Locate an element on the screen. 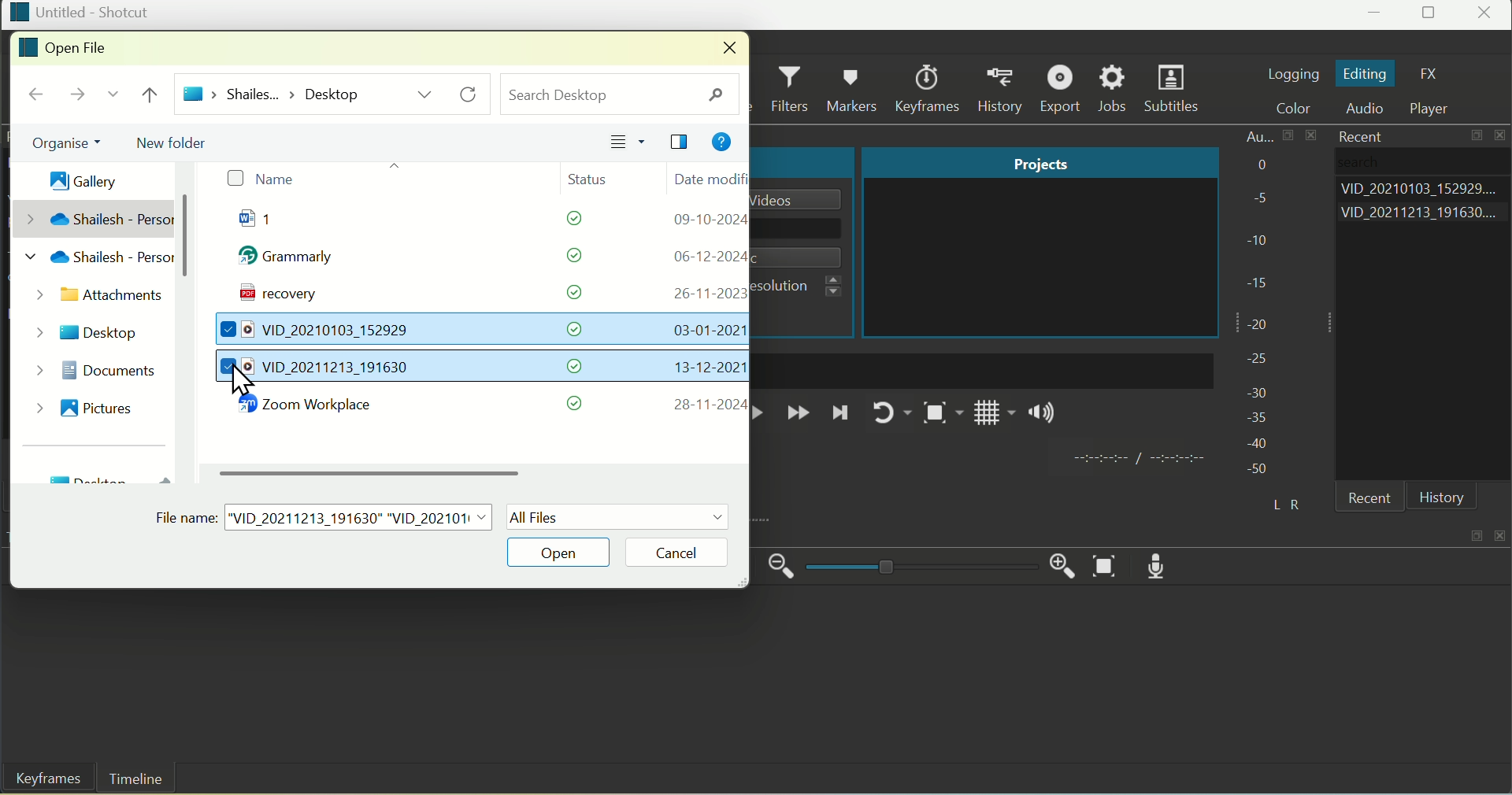  Name is located at coordinates (260, 179).